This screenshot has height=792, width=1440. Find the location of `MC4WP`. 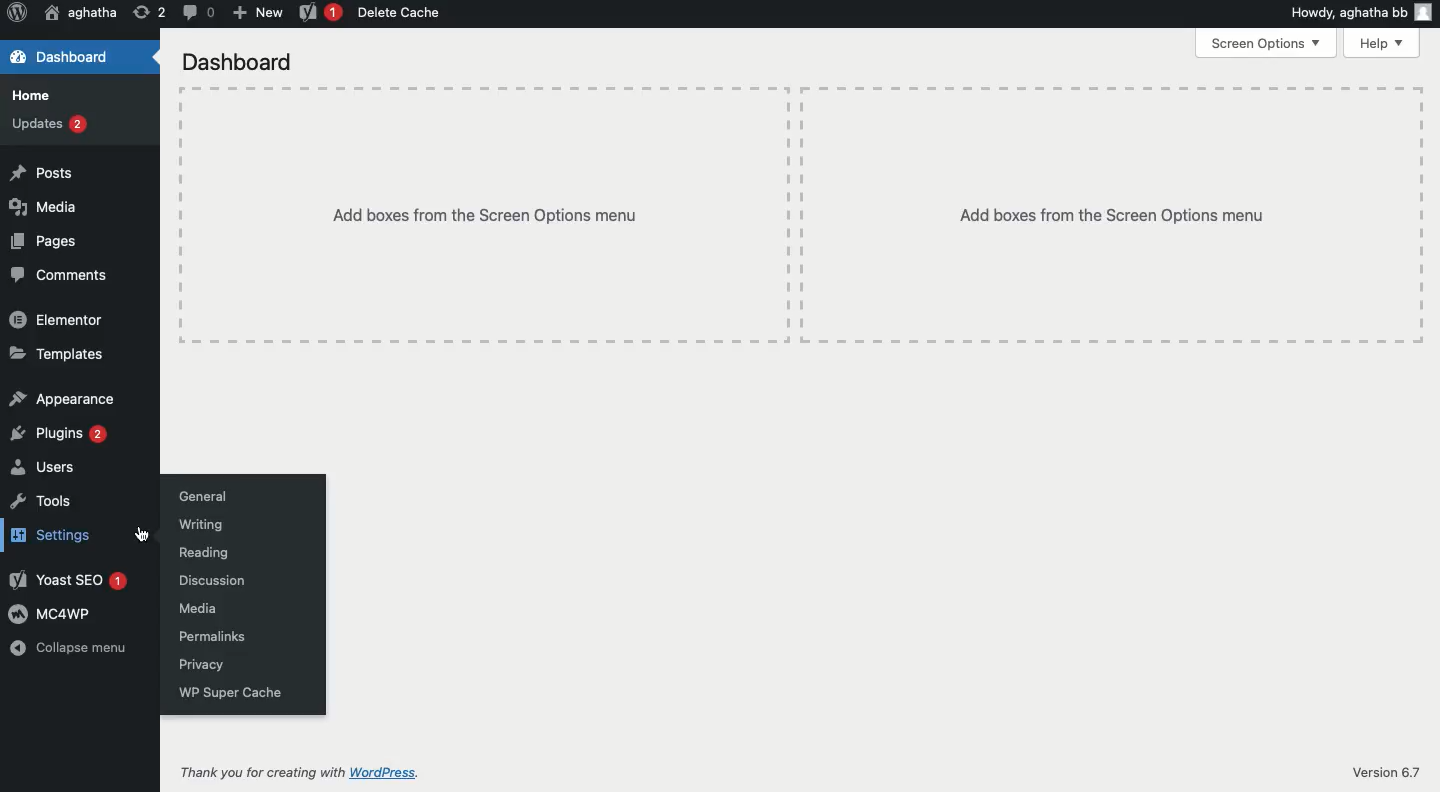

MC4WP is located at coordinates (51, 614).